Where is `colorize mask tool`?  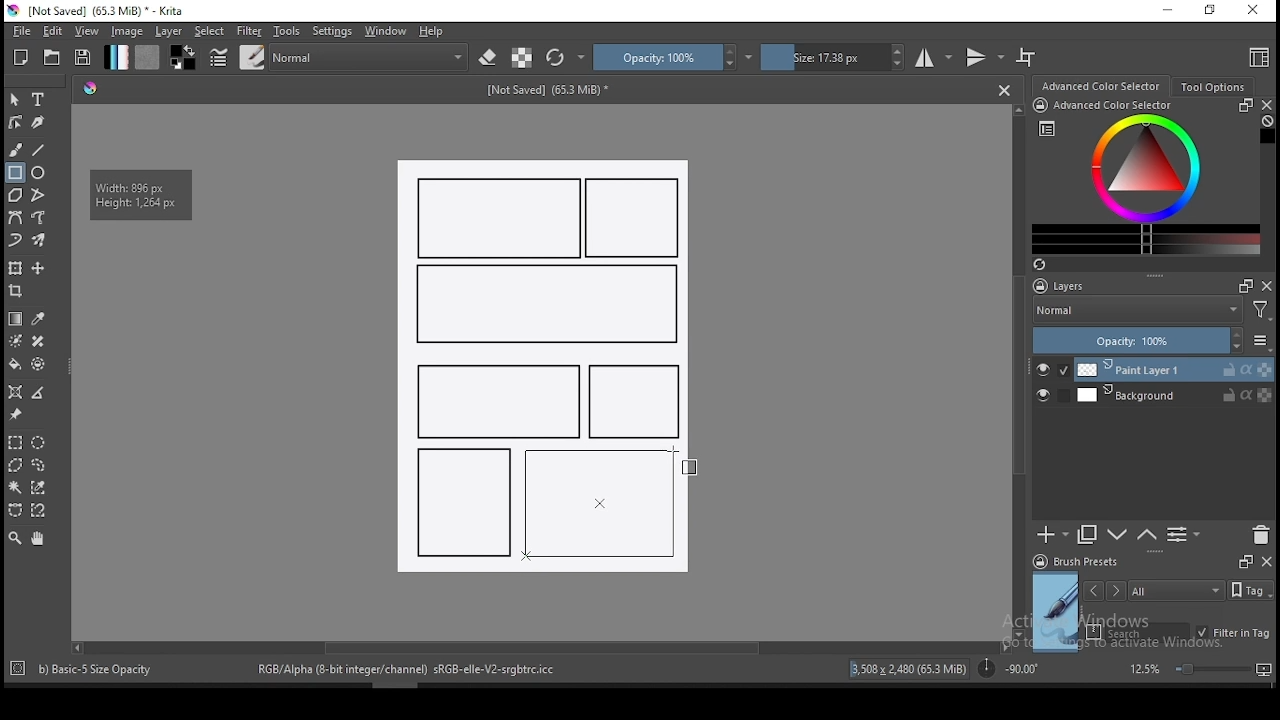 colorize mask tool is located at coordinates (17, 341).